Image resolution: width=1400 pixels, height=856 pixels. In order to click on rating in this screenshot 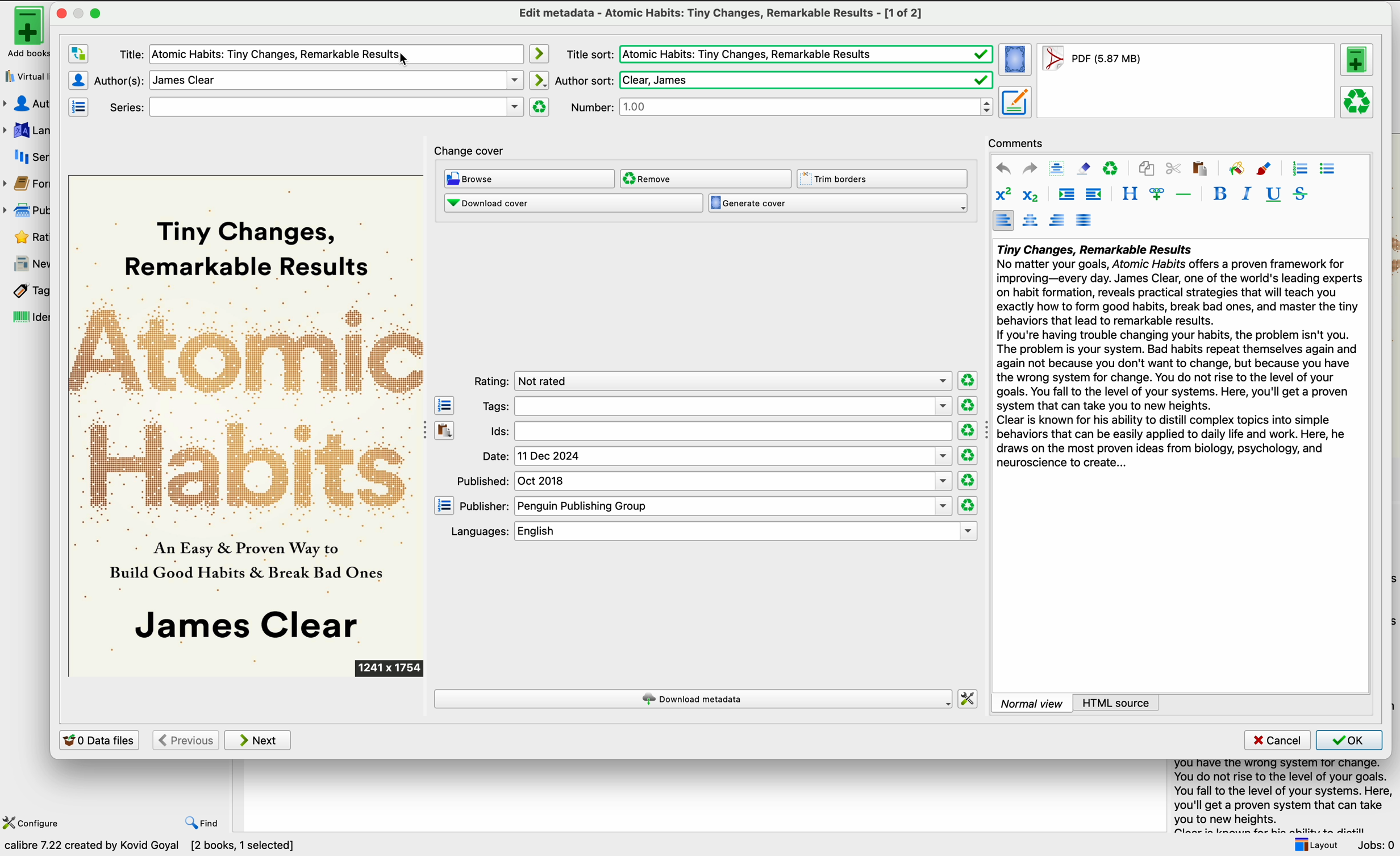, I will do `click(711, 380)`.